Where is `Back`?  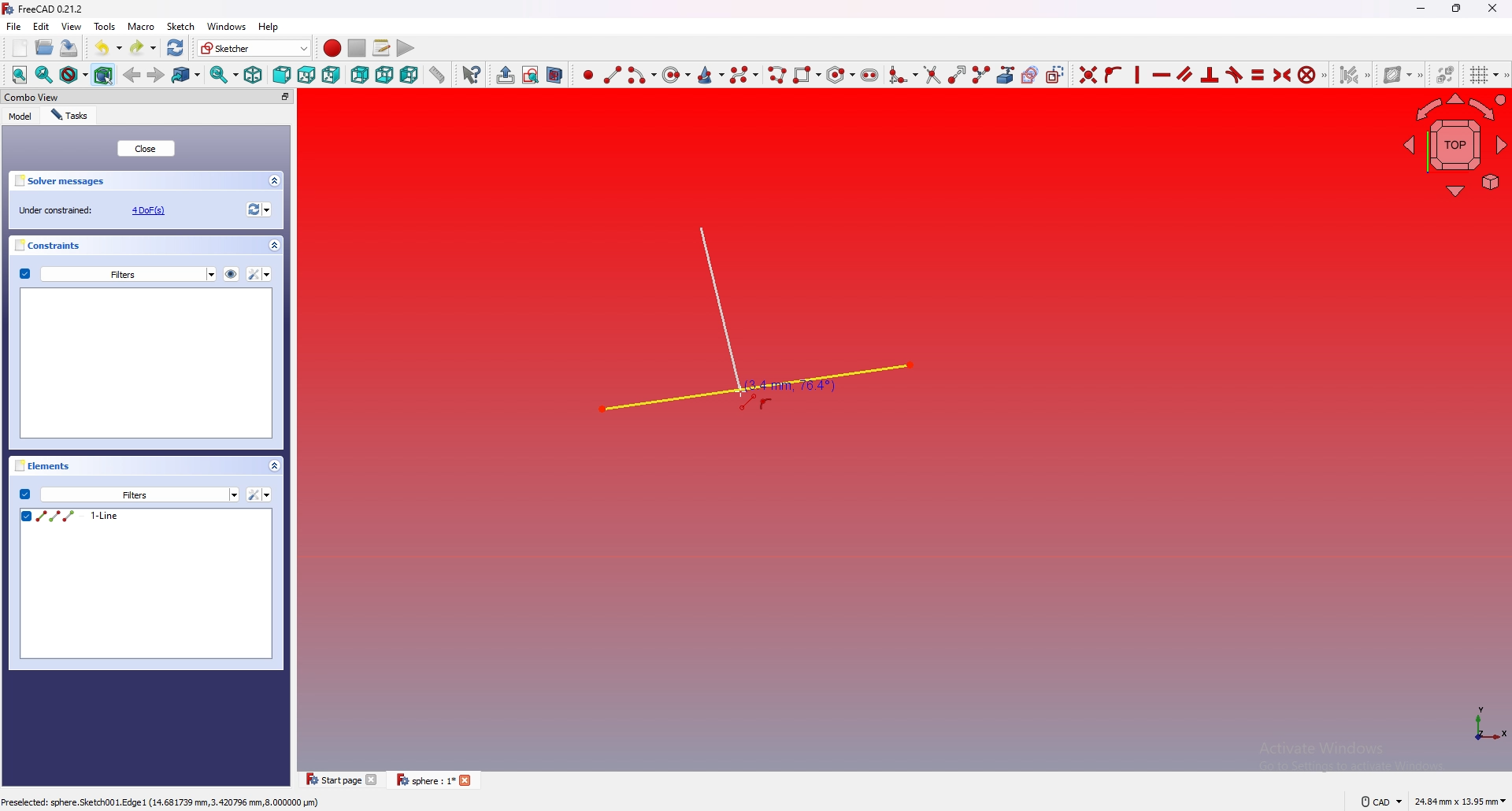 Back is located at coordinates (132, 73).